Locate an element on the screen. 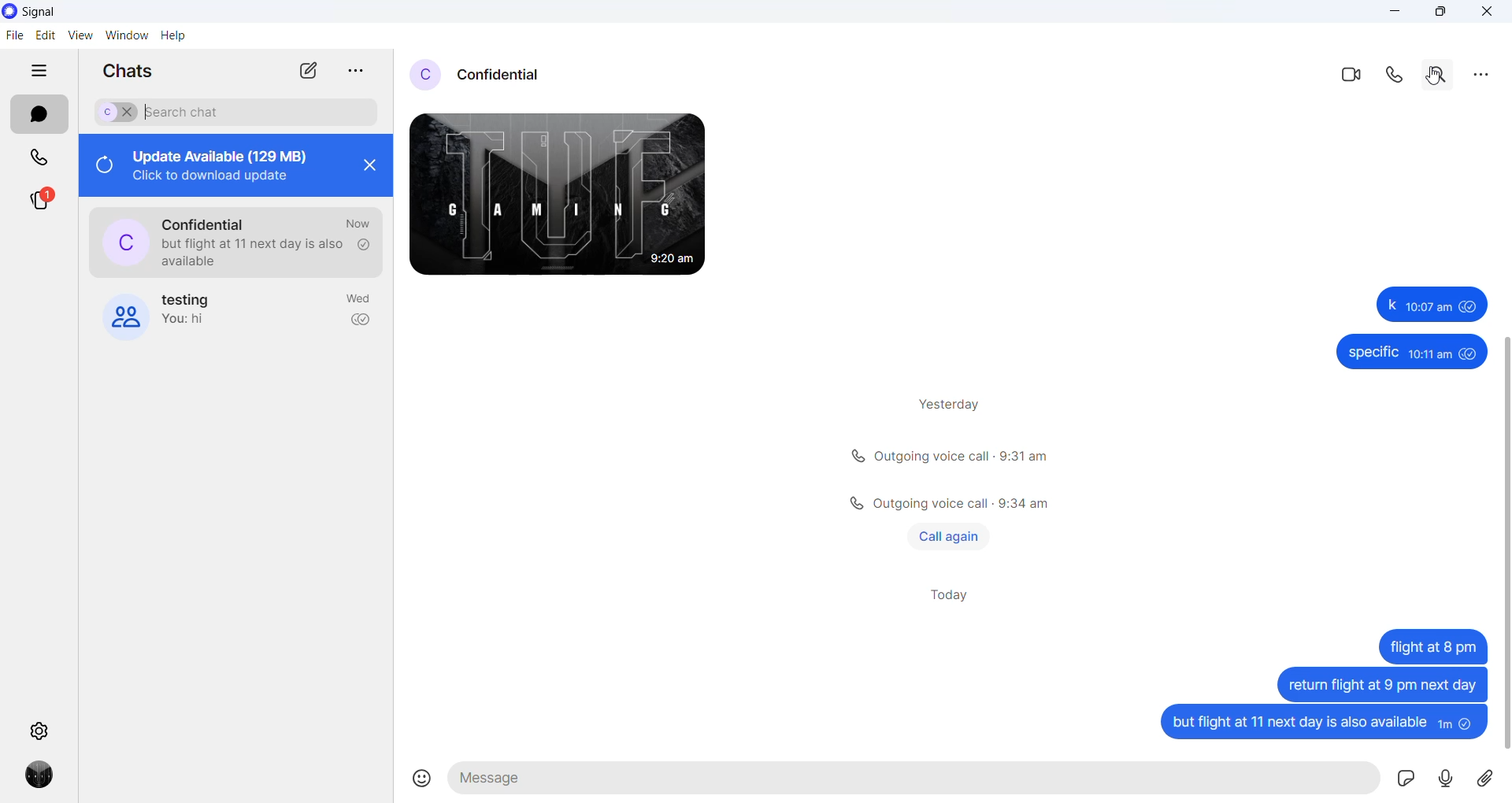 The width and height of the screenshot is (1512, 803). calls is located at coordinates (35, 157).